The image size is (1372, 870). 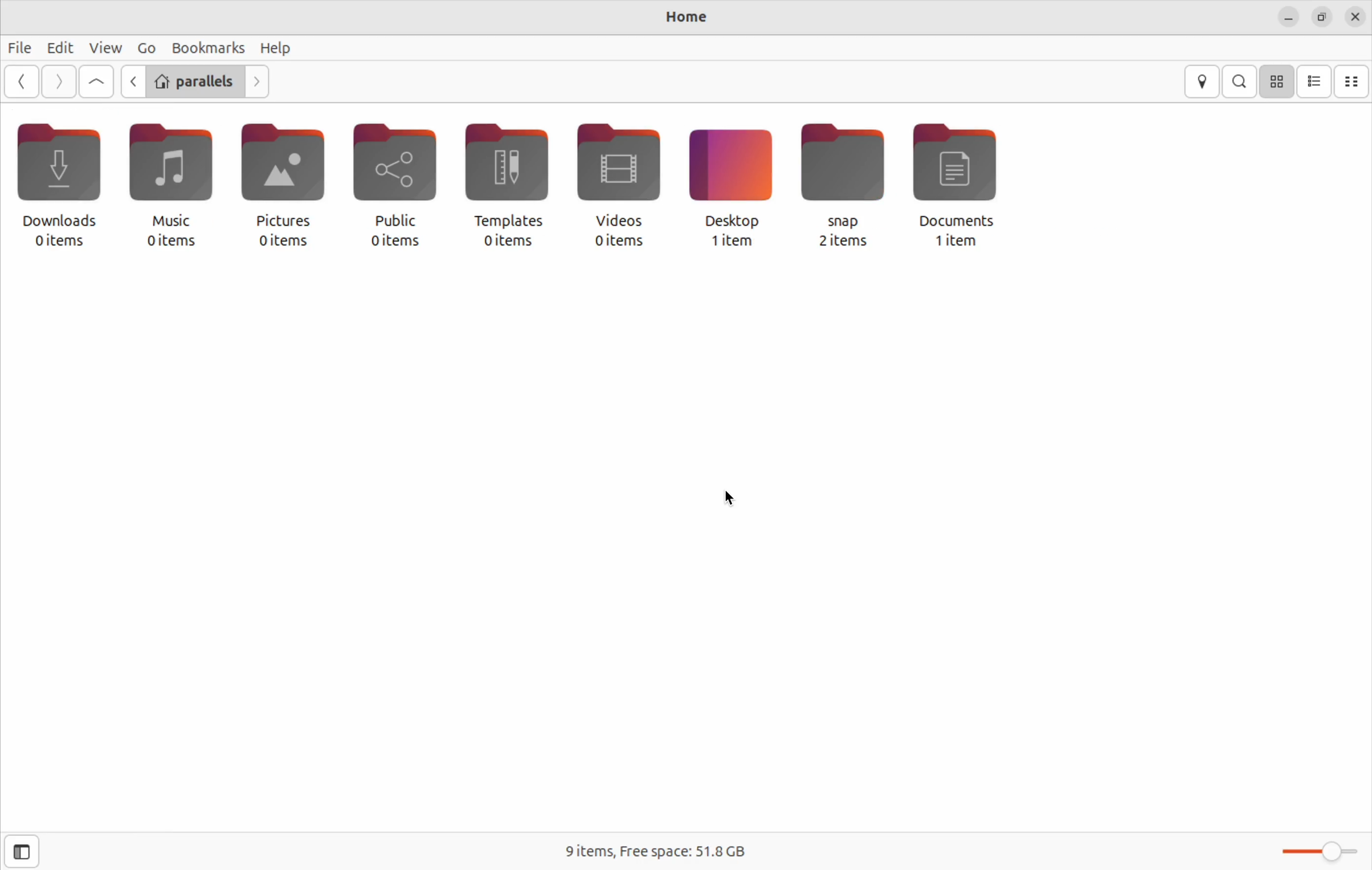 I want to click on music 0 items, so click(x=174, y=184).